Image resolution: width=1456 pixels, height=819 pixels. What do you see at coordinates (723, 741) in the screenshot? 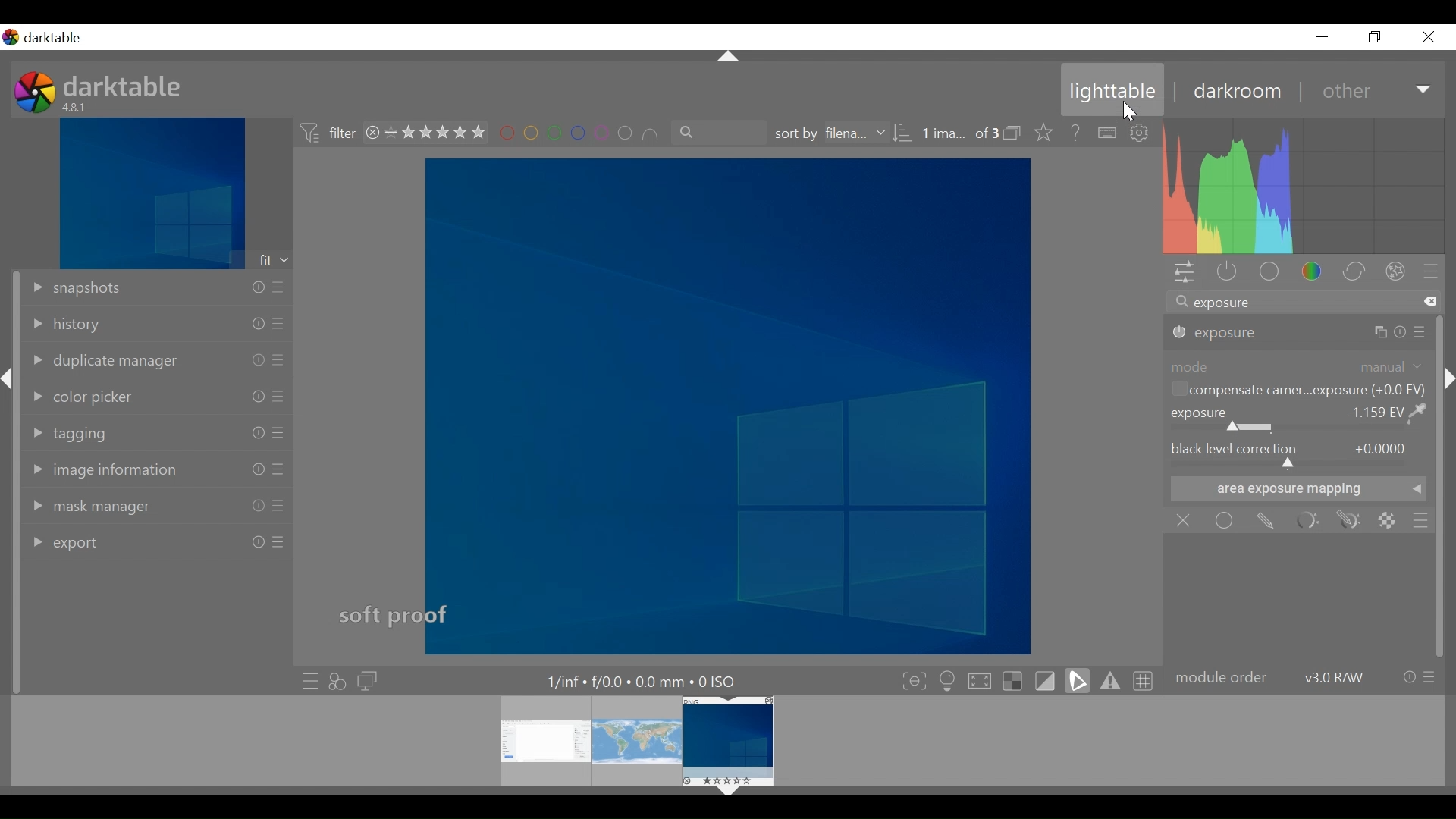
I see `filmstrip` at bounding box center [723, 741].